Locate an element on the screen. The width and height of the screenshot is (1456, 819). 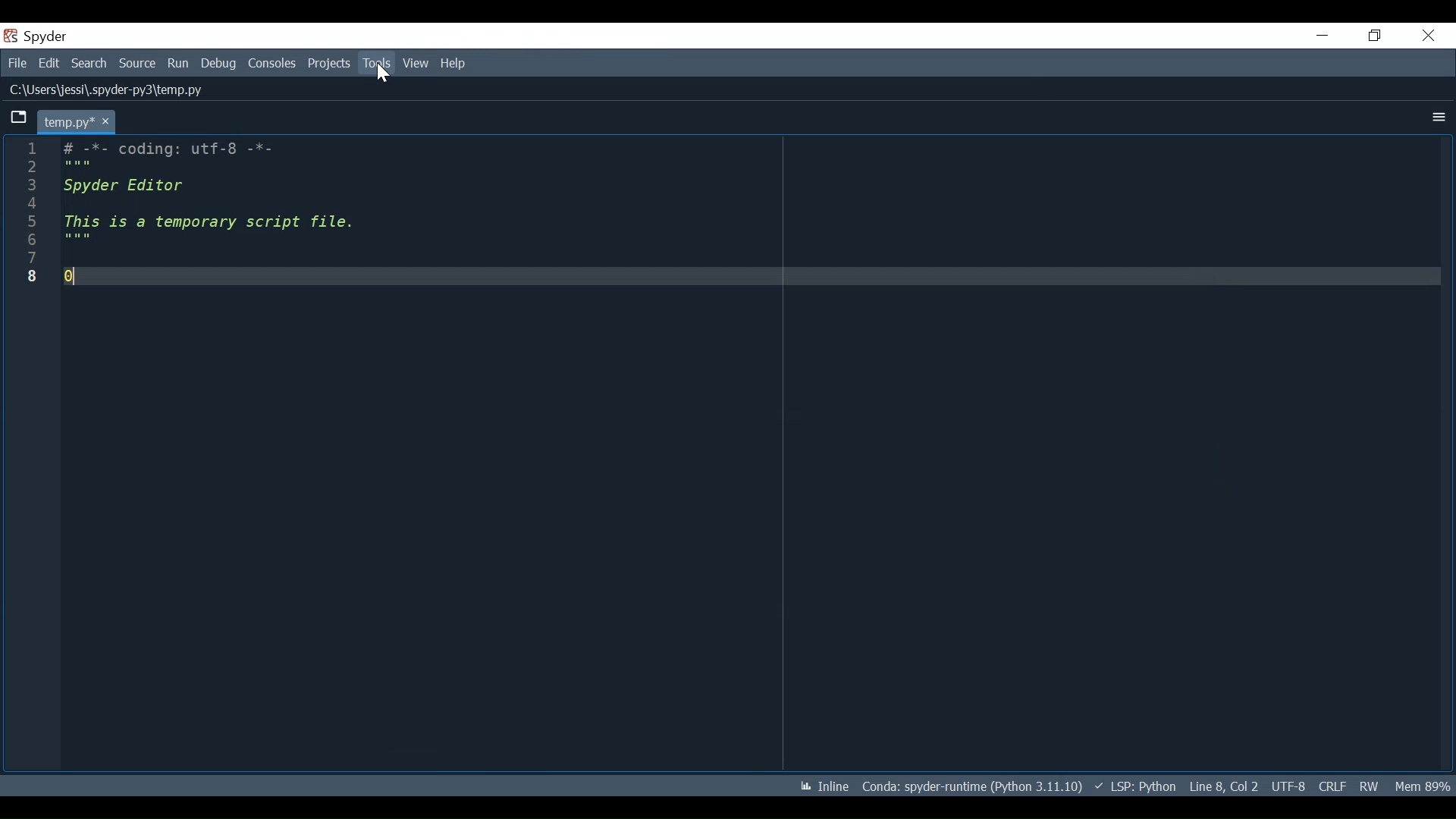
Tools is located at coordinates (375, 64).